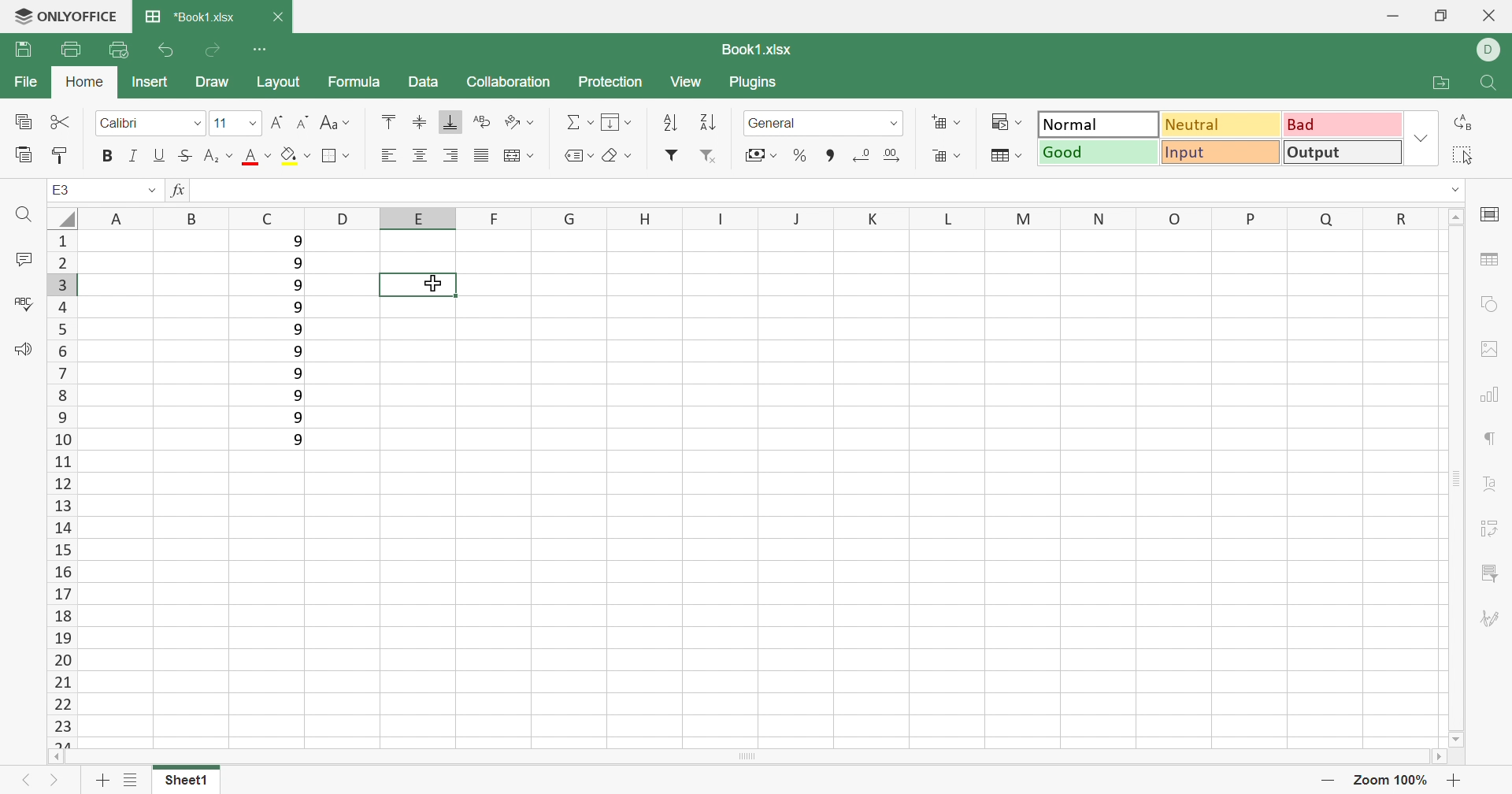  Describe the element at coordinates (1464, 124) in the screenshot. I see `Replace` at that location.